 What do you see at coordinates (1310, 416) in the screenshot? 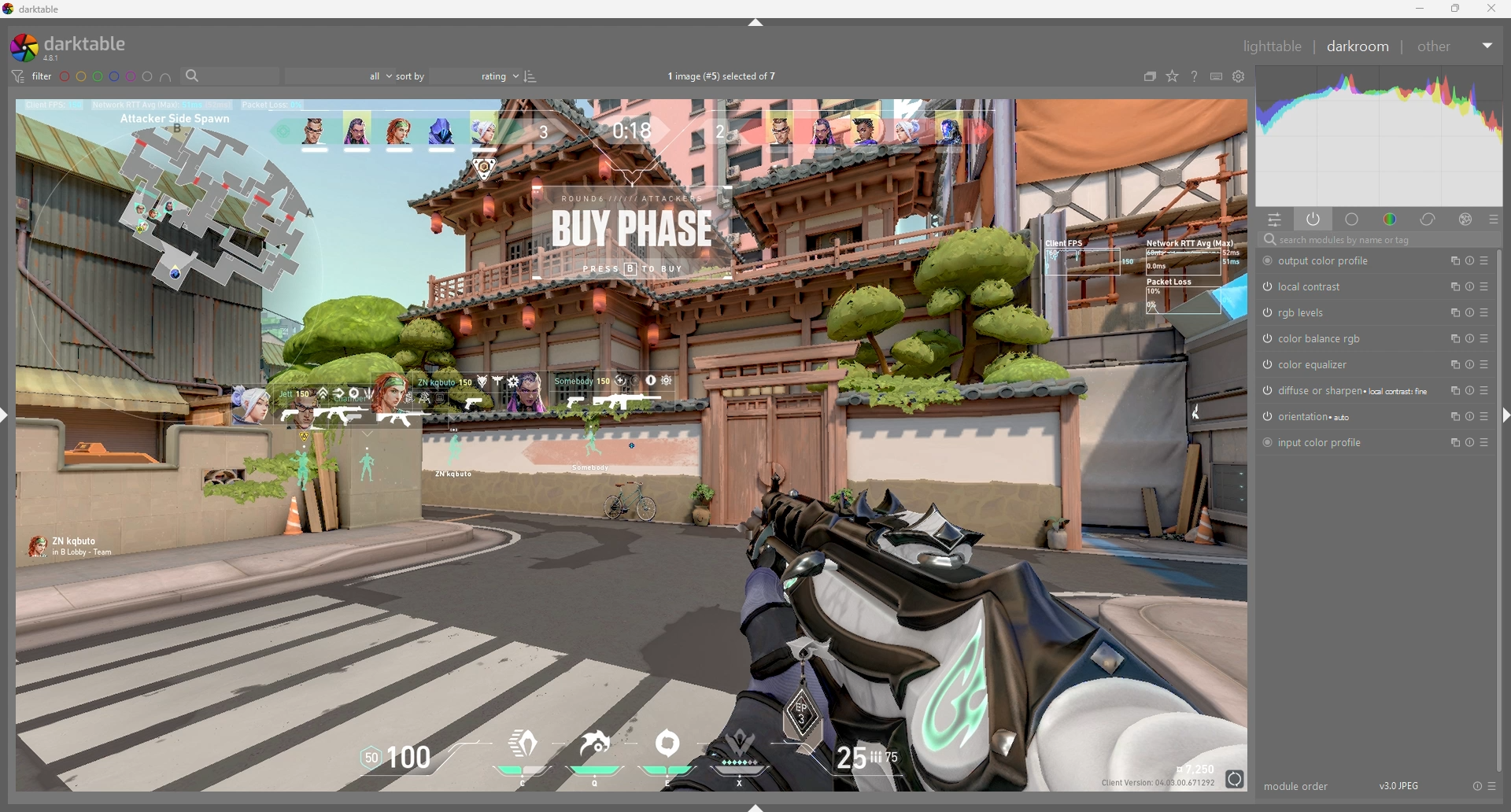
I see `orientation` at bounding box center [1310, 416].